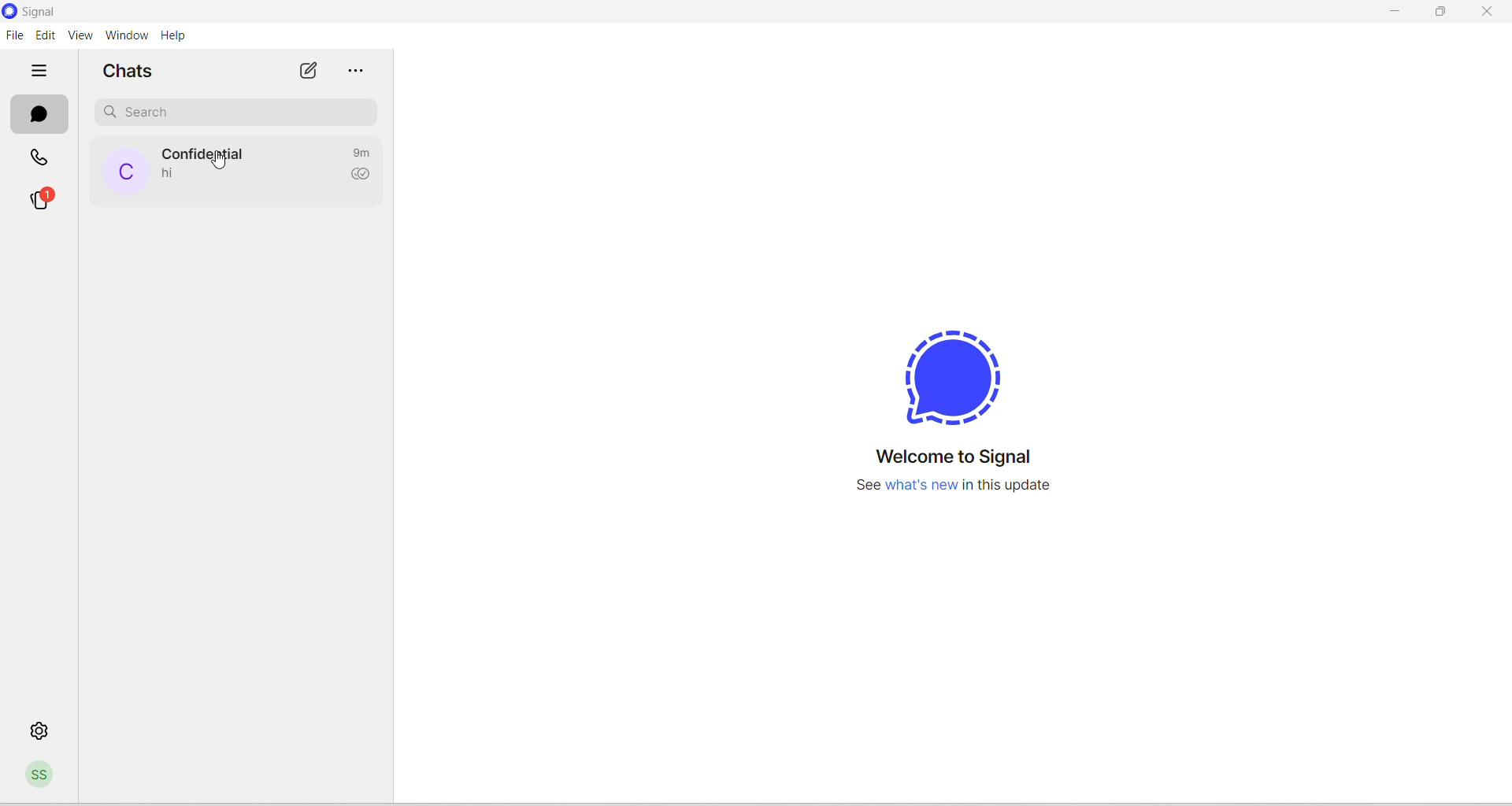 The image size is (1512, 806). I want to click on chats heading, so click(127, 74).